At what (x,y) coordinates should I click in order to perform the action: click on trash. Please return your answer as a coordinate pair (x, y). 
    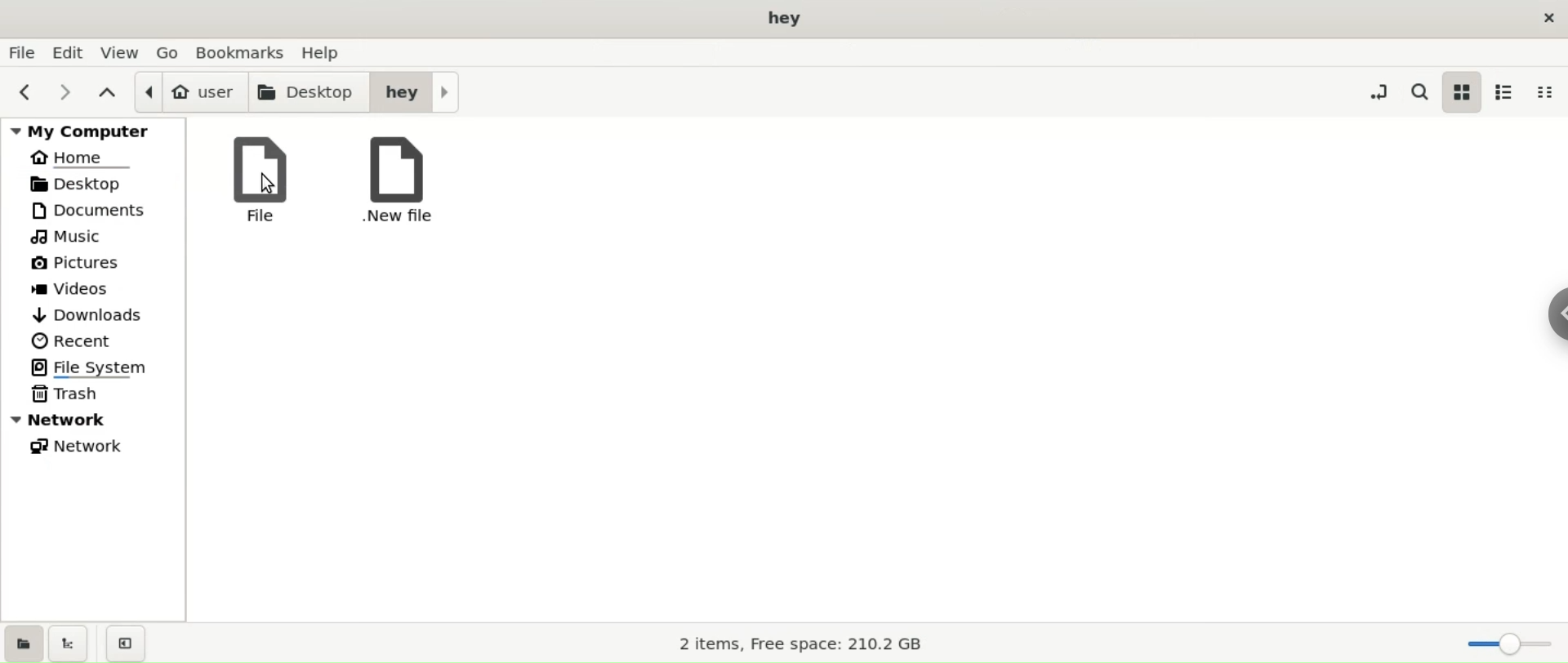
    Looking at the image, I should click on (93, 394).